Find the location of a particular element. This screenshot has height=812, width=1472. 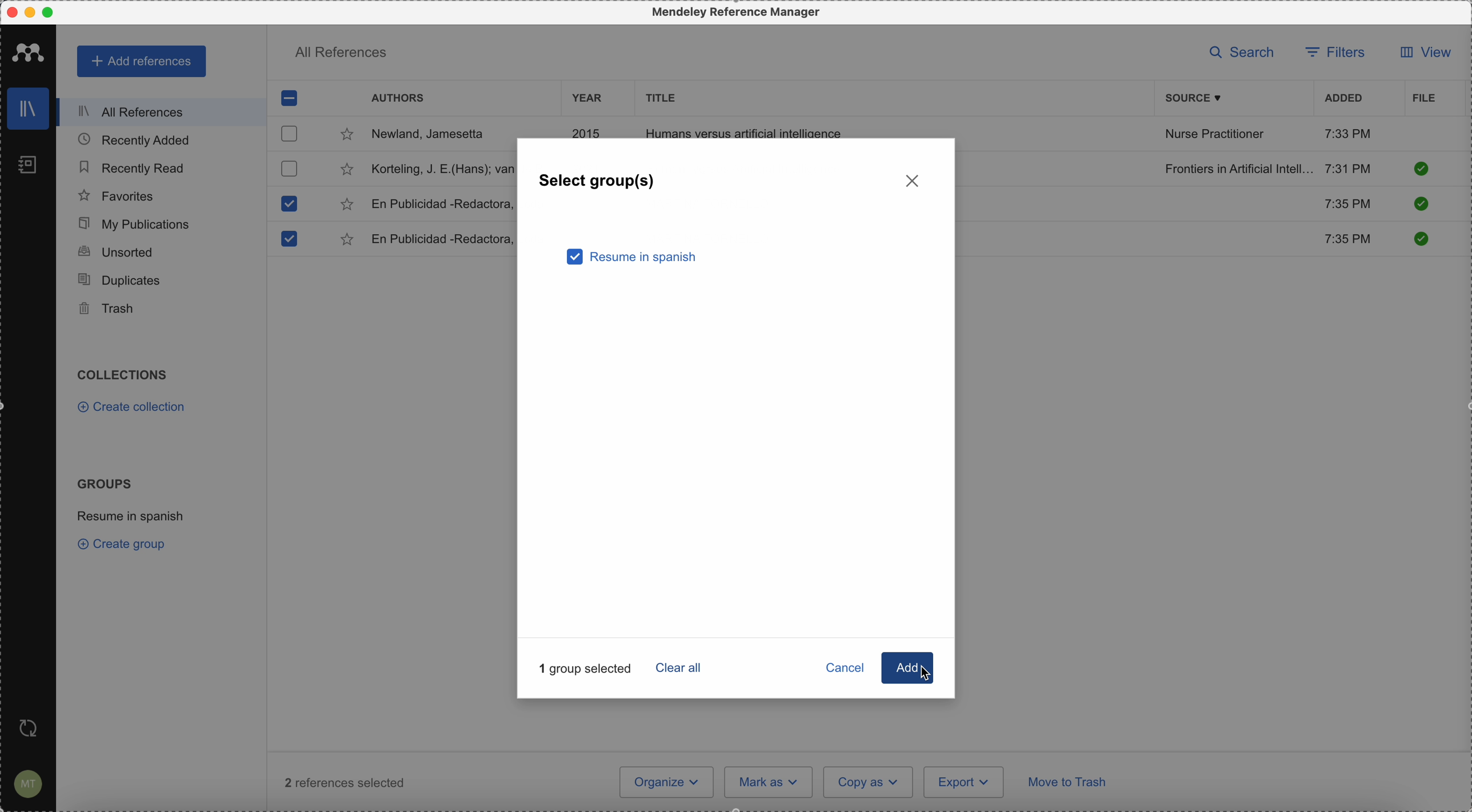

cancel is located at coordinates (846, 670).